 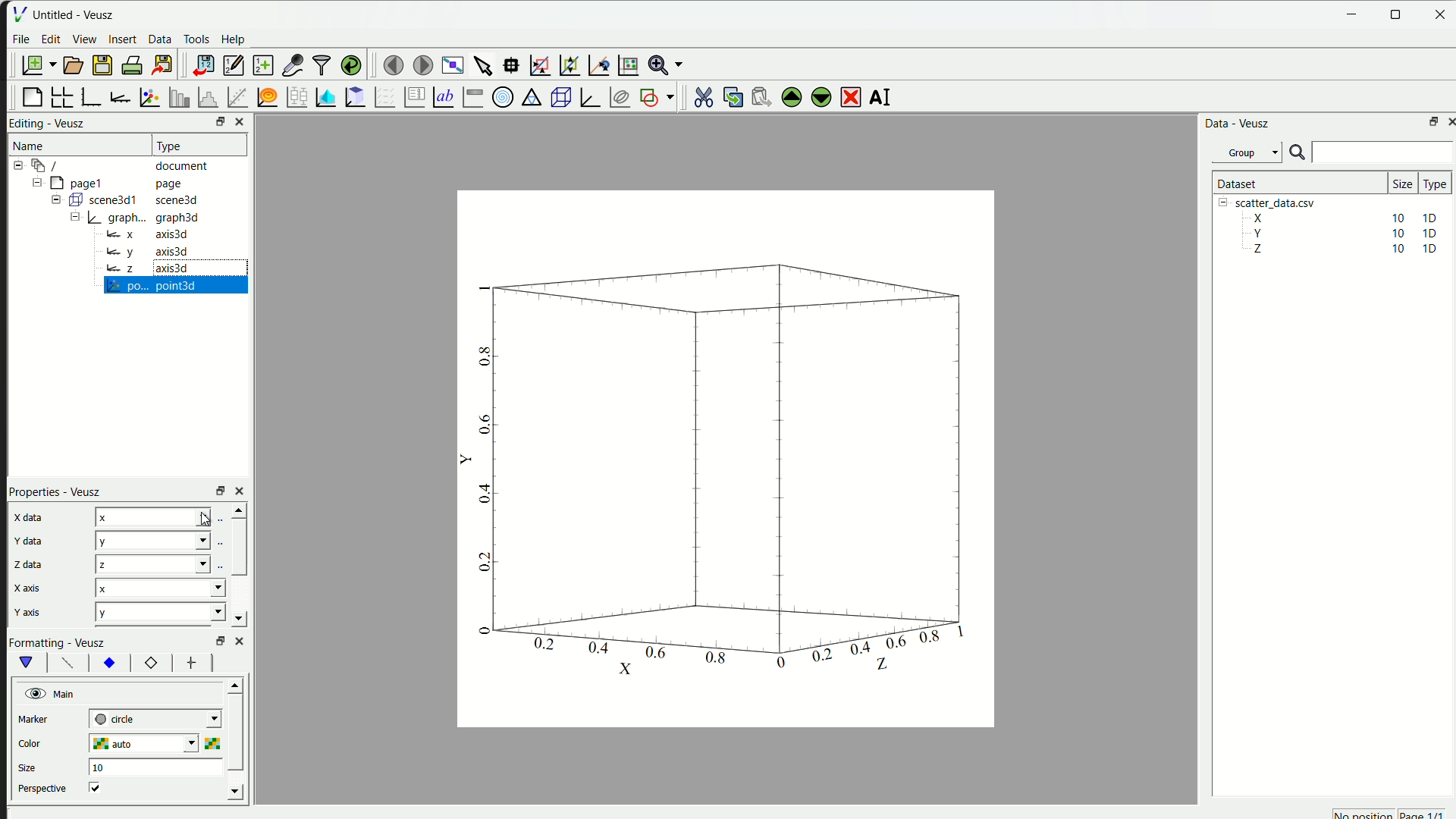 What do you see at coordinates (27, 663) in the screenshot?
I see `vShape` at bounding box center [27, 663].